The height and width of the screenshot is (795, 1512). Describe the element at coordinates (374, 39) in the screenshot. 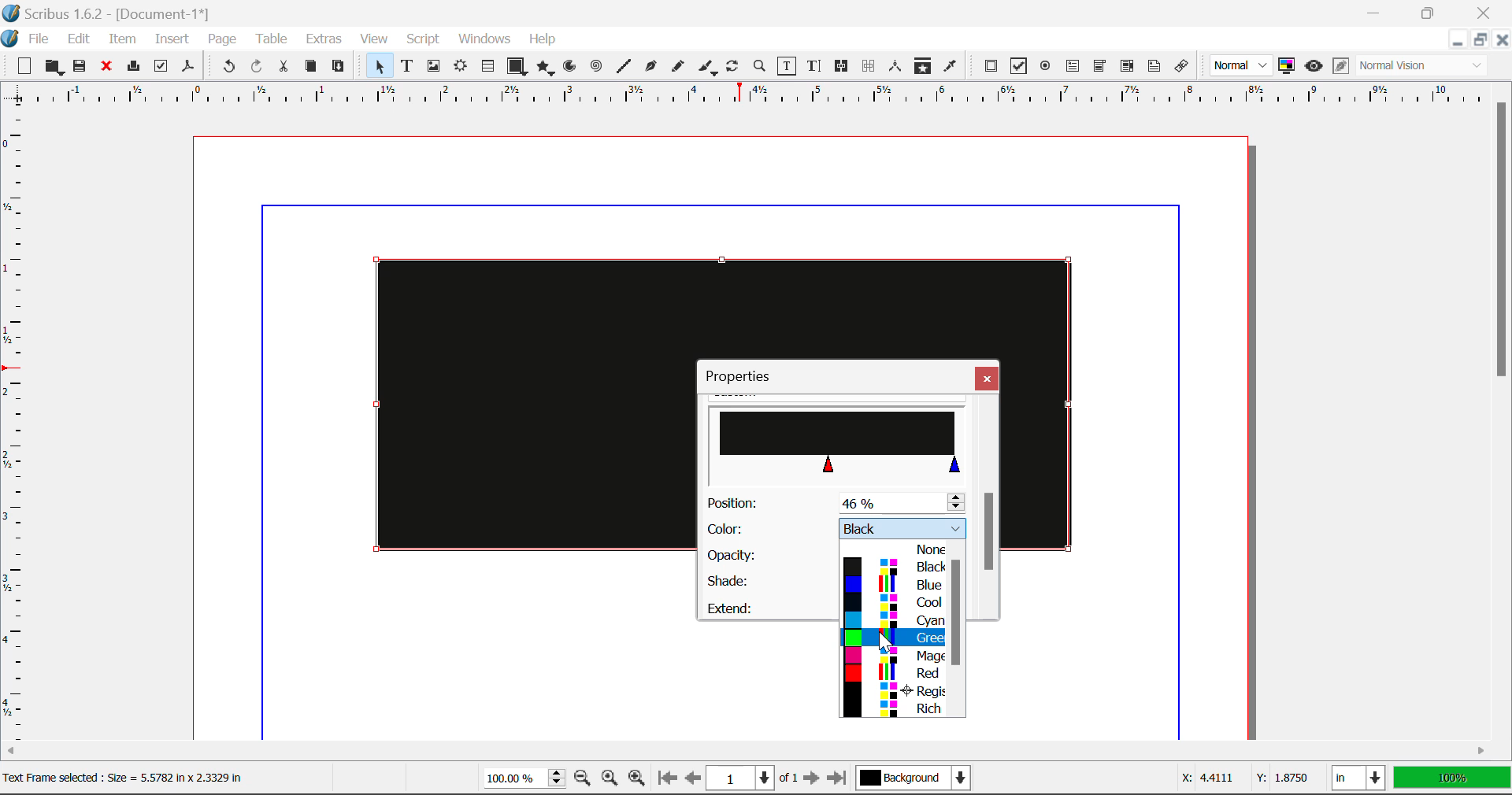

I see `View` at that location.